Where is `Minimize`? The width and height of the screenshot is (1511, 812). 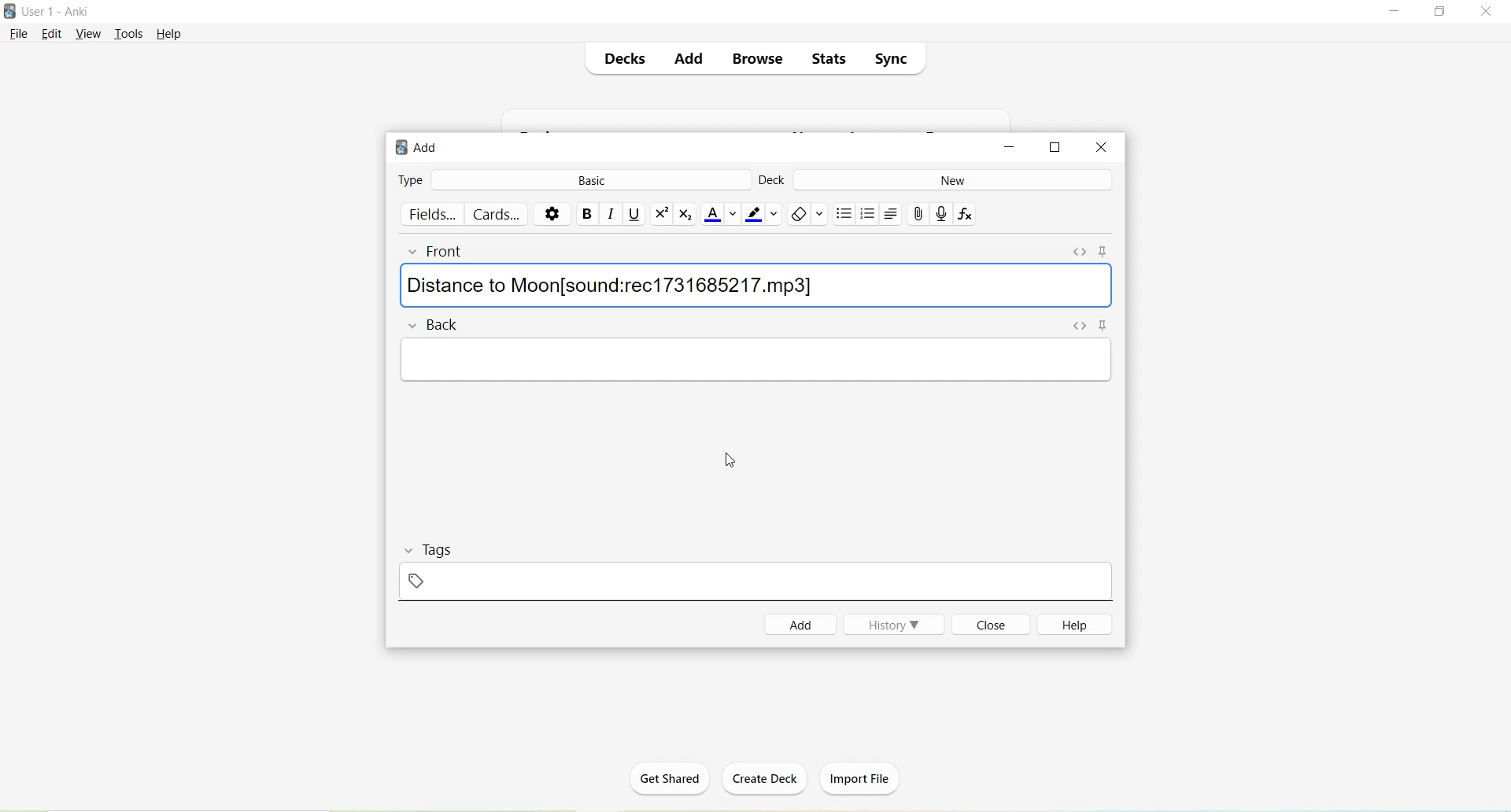
Minimize is located at coordinates (1397, 13).